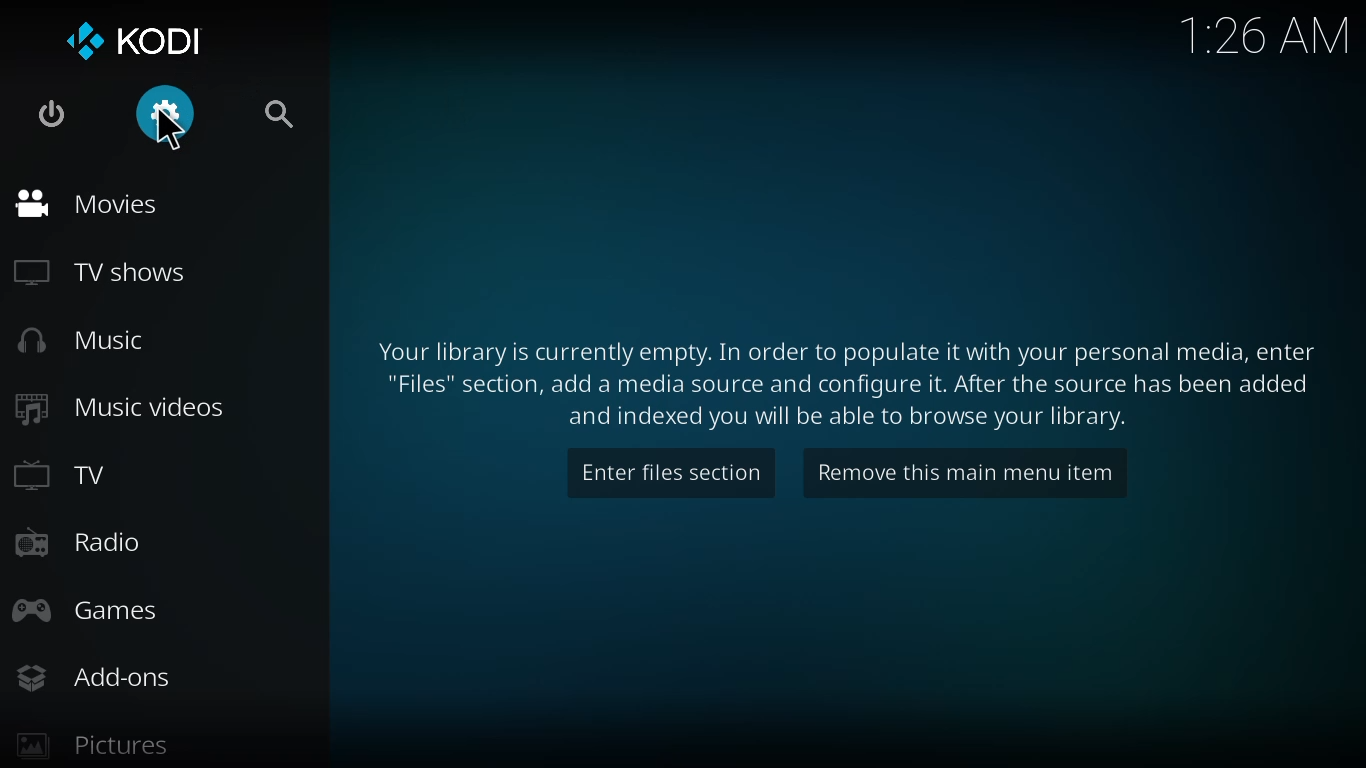 The width and height of the screenshot is (1366, 768). I want to click on info, so click(844, 375).